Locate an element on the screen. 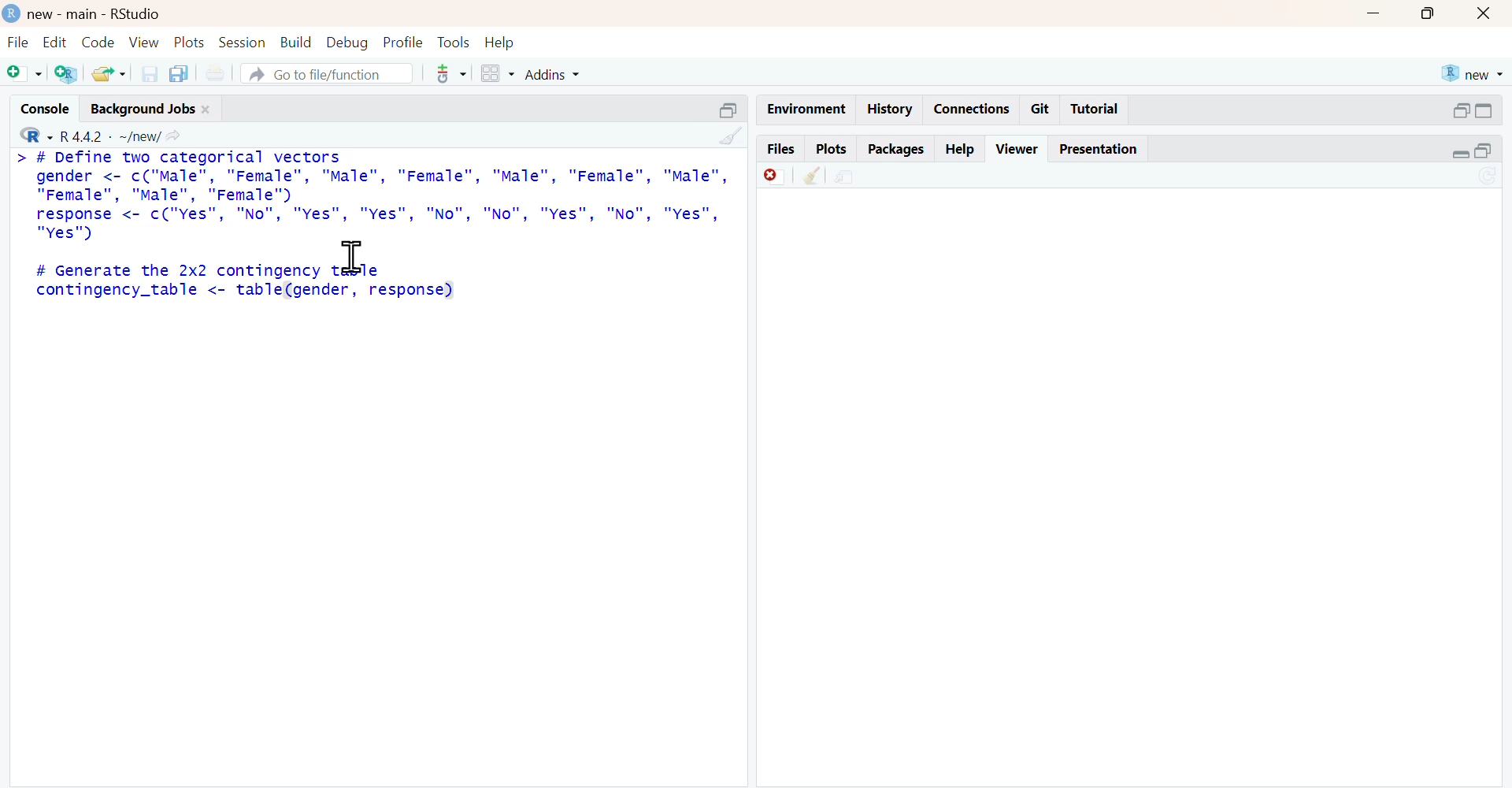 The height and width of the screenshot is (788, 1512). file is located at coordinates (20, 43).